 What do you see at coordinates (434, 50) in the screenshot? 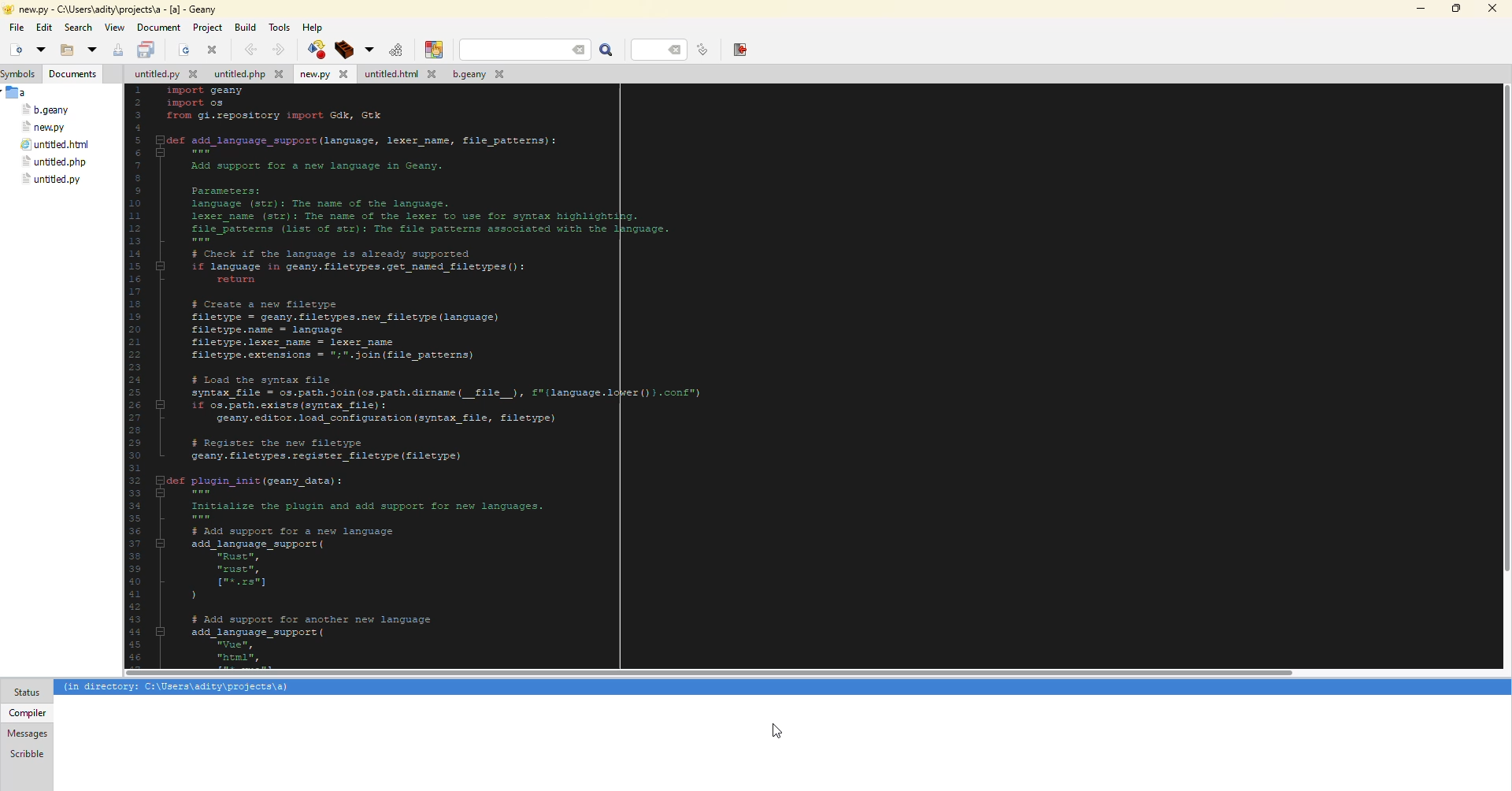
I see `color` at bounding box center [434, 50].